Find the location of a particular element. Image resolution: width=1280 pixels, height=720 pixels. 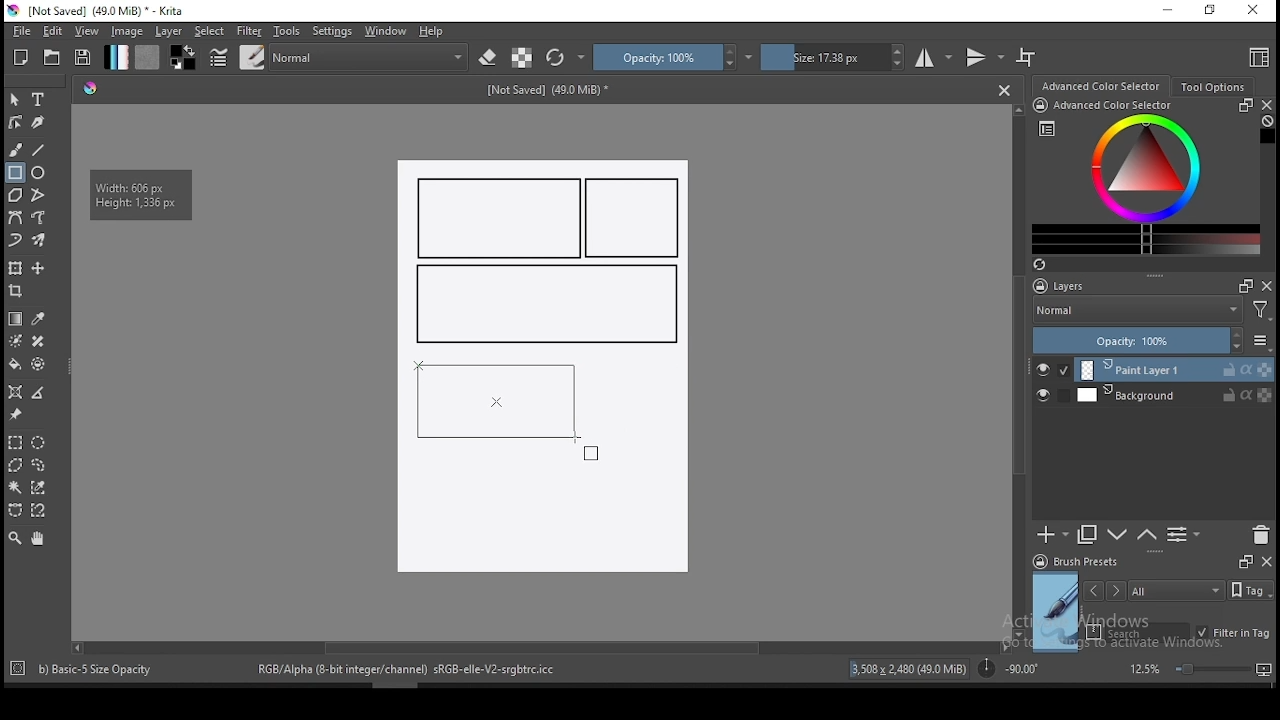

restore is located at coordinates (1214, 11).